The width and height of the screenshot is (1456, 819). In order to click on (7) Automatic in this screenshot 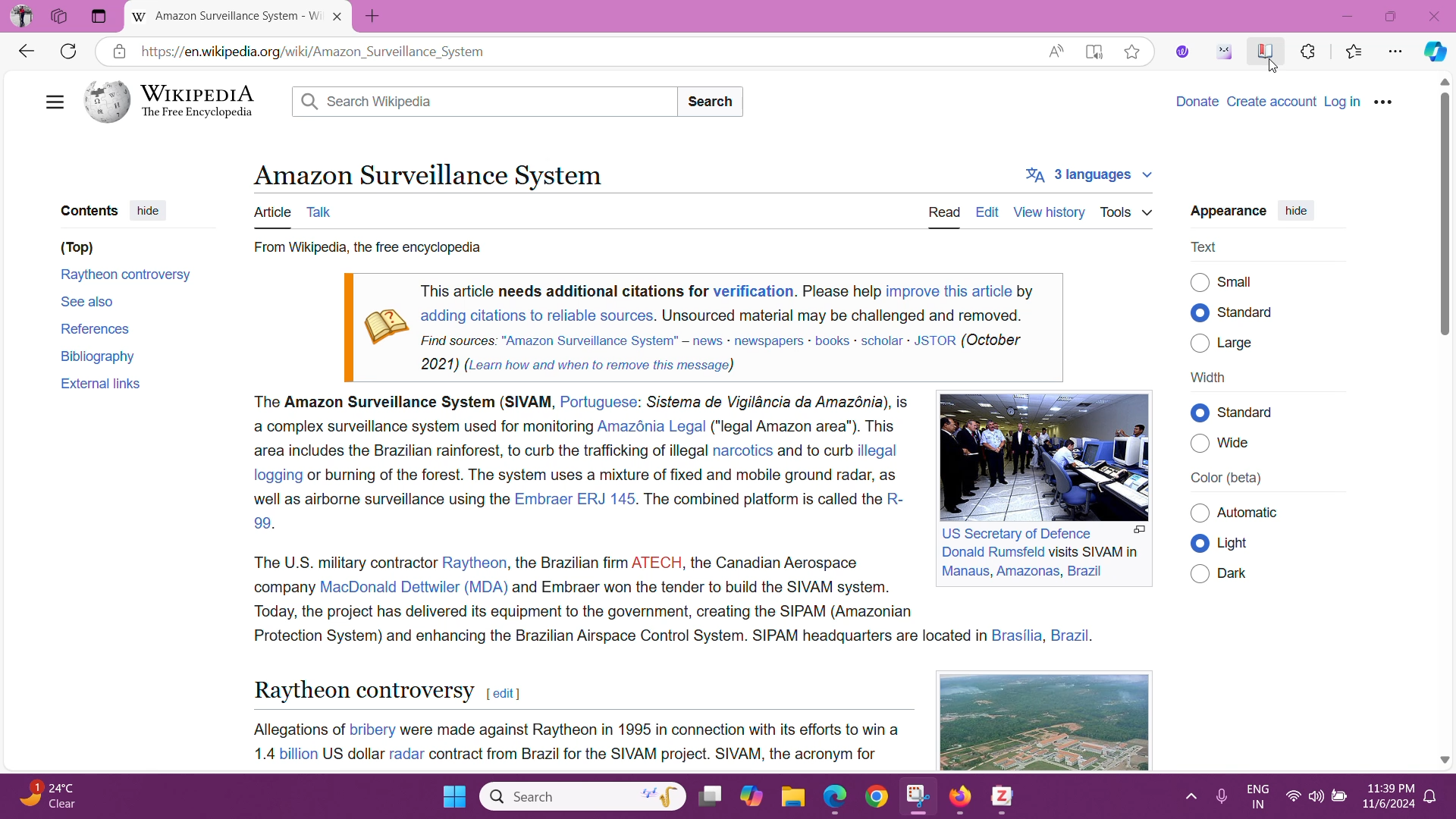, I will do `click(1254, 513)`.